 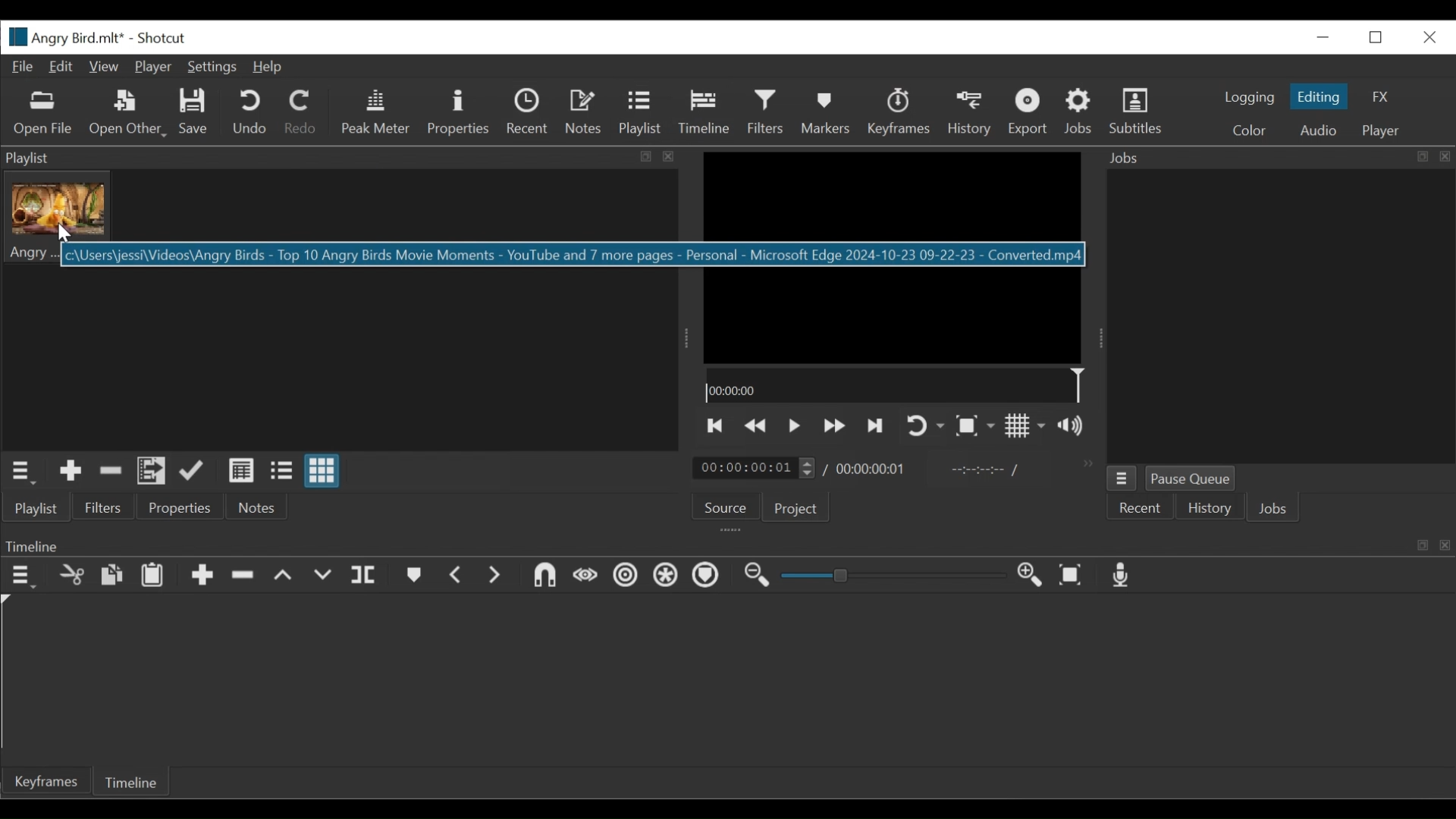 What do you see at coordinates (582, 113) in the screenshot?
I see `Notes` at bounding box center [582, 113].